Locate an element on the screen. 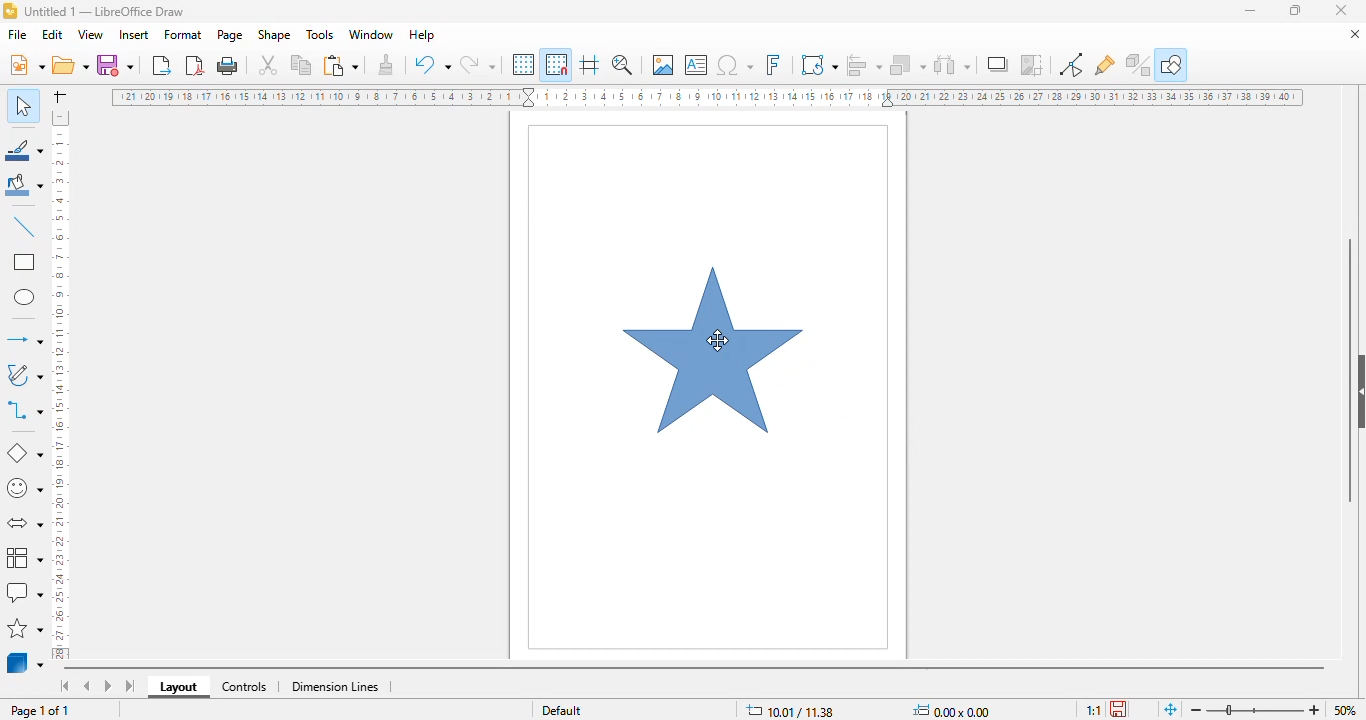 The width and height of the screenshot is (1366, 720). new is located at coordinates (26, 65).